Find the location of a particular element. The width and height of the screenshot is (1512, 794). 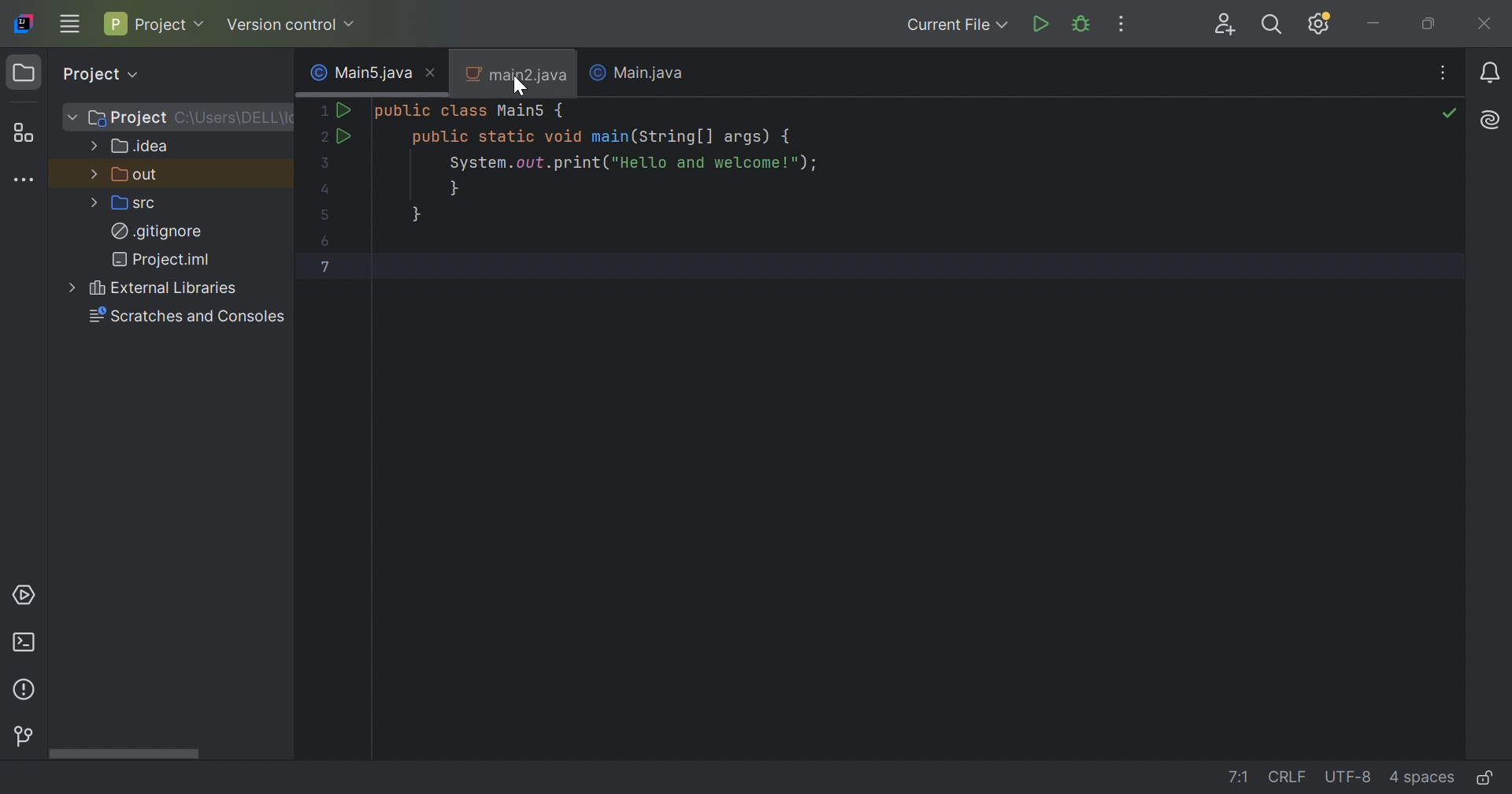

UTF-8 is located at coordinates (1347, 777).